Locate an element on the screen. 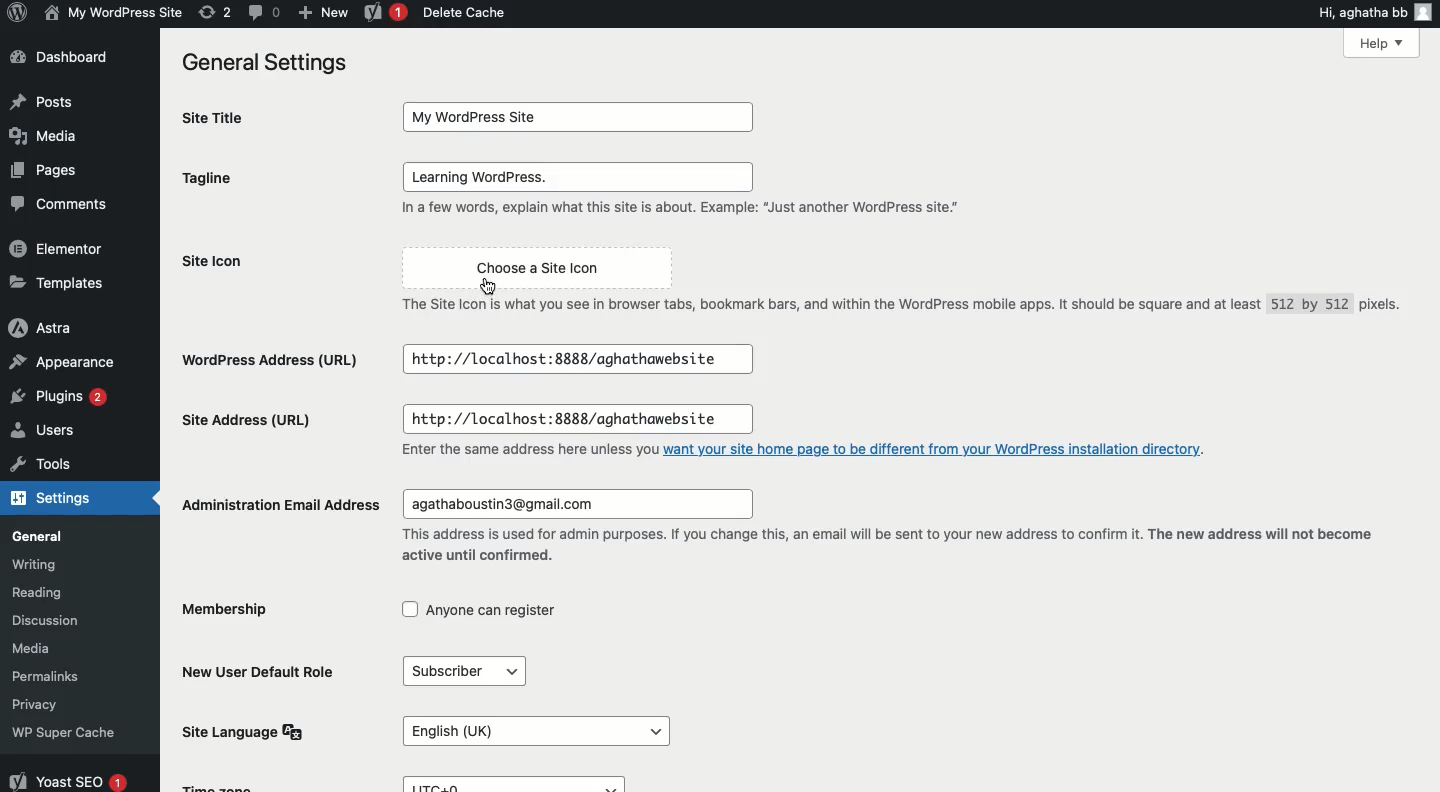 Image resolution: width=1440 pixels, height=792 pixels. Permalinks is located at coordinates (74, 673).